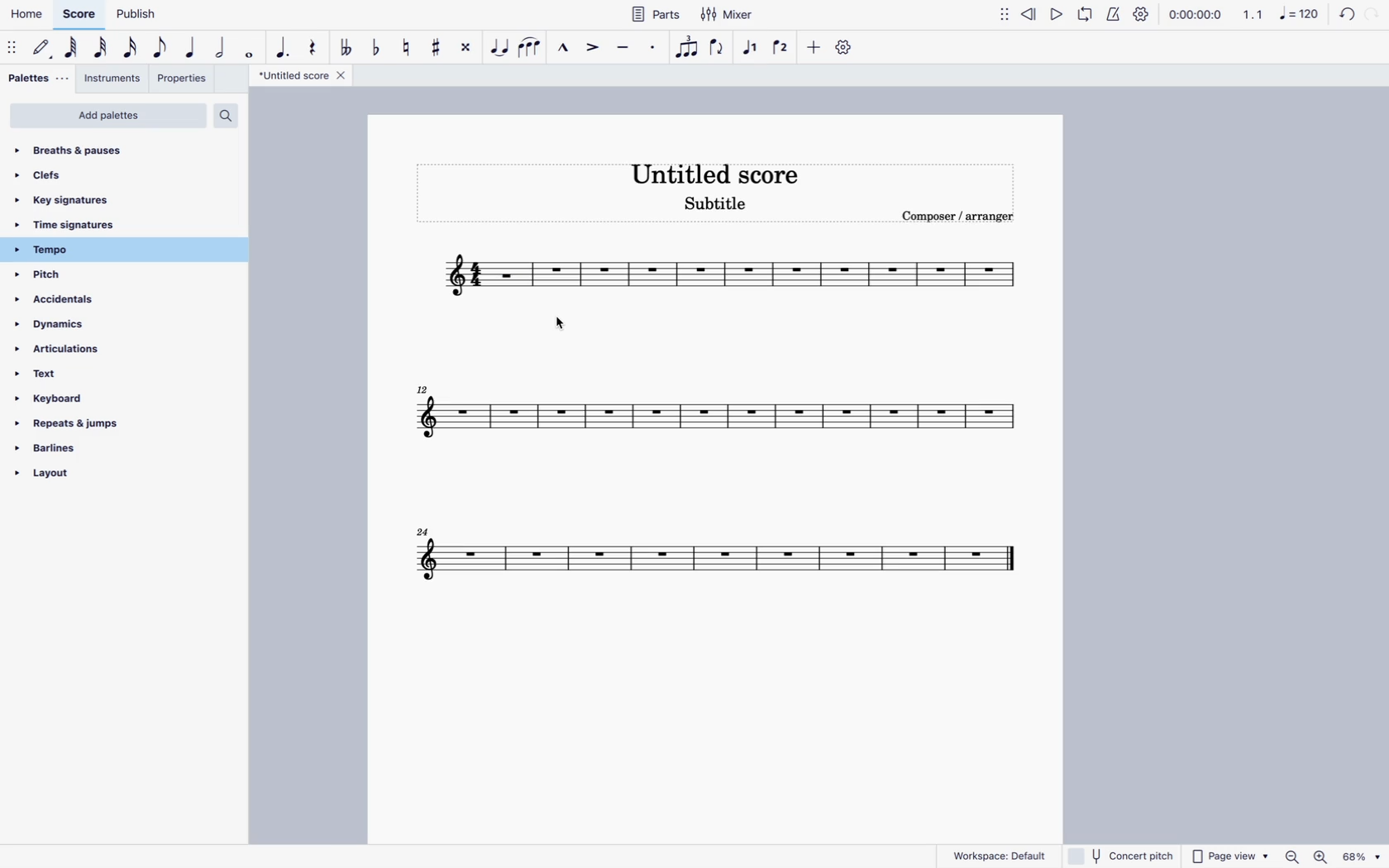  I want to click on instruments, so click(116, 78).